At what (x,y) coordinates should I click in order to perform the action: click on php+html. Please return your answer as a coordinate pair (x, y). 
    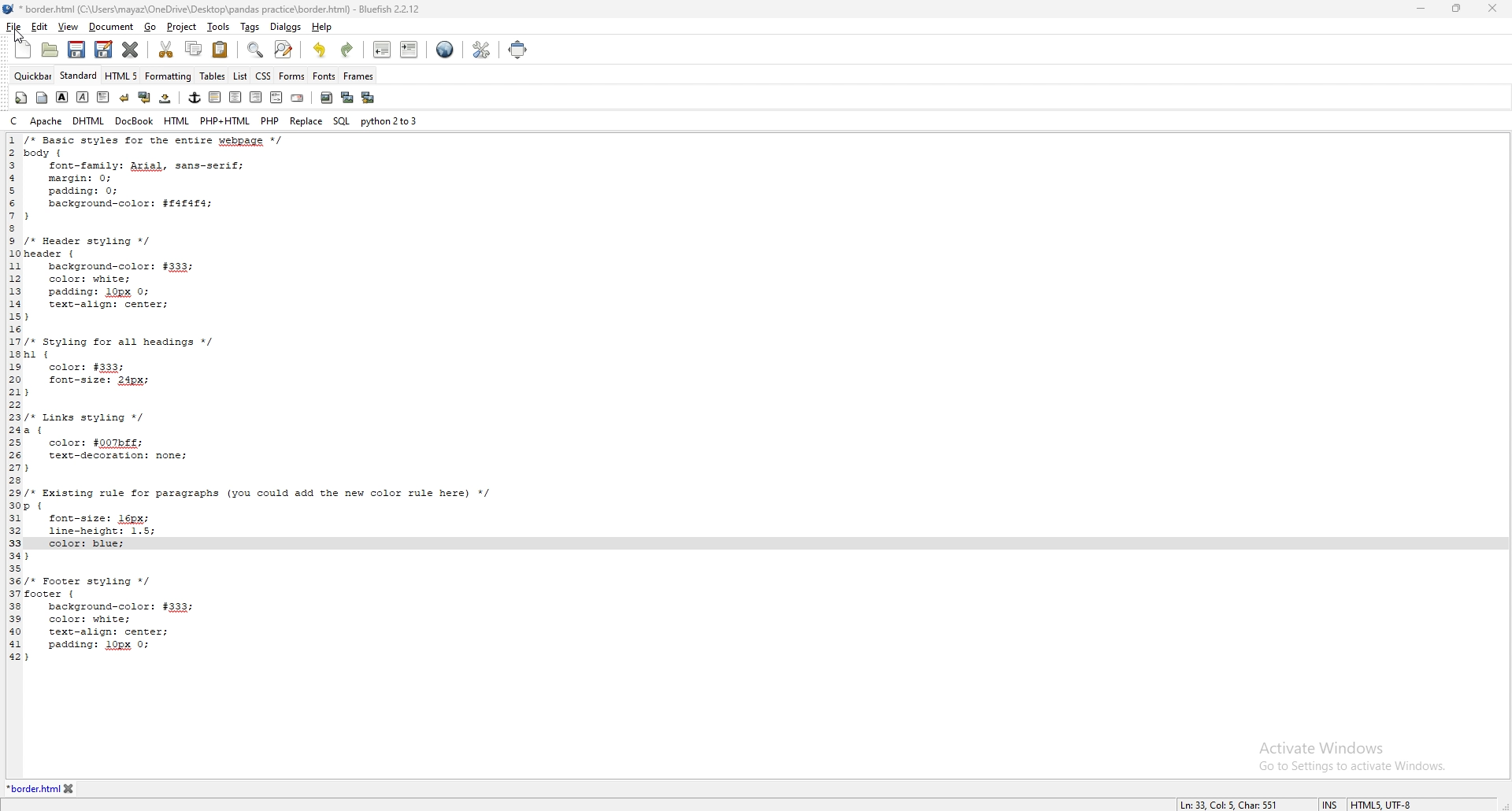
    Looking at the image, I should click on (226, 121).